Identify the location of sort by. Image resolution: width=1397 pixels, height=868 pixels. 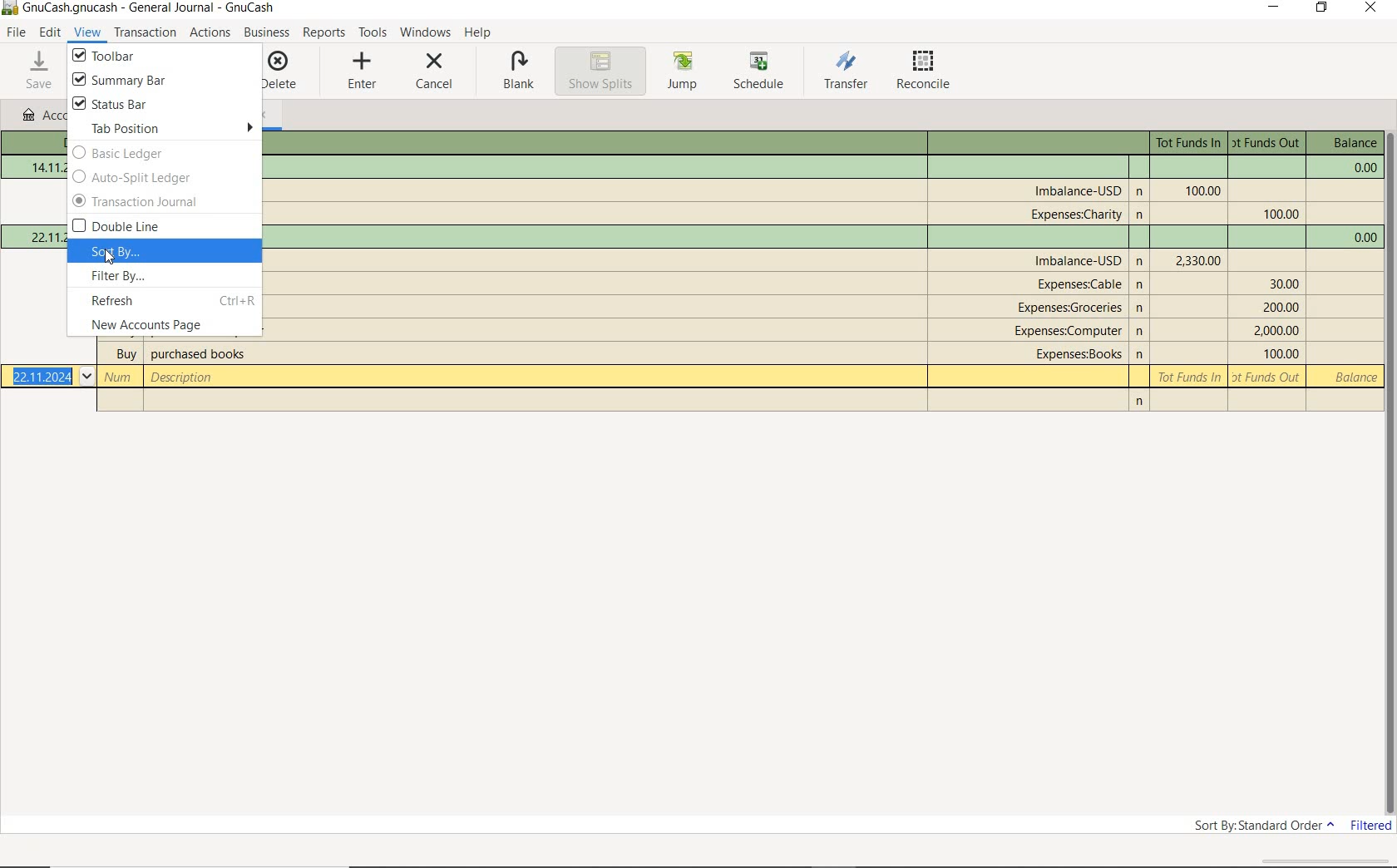
(167, 252).